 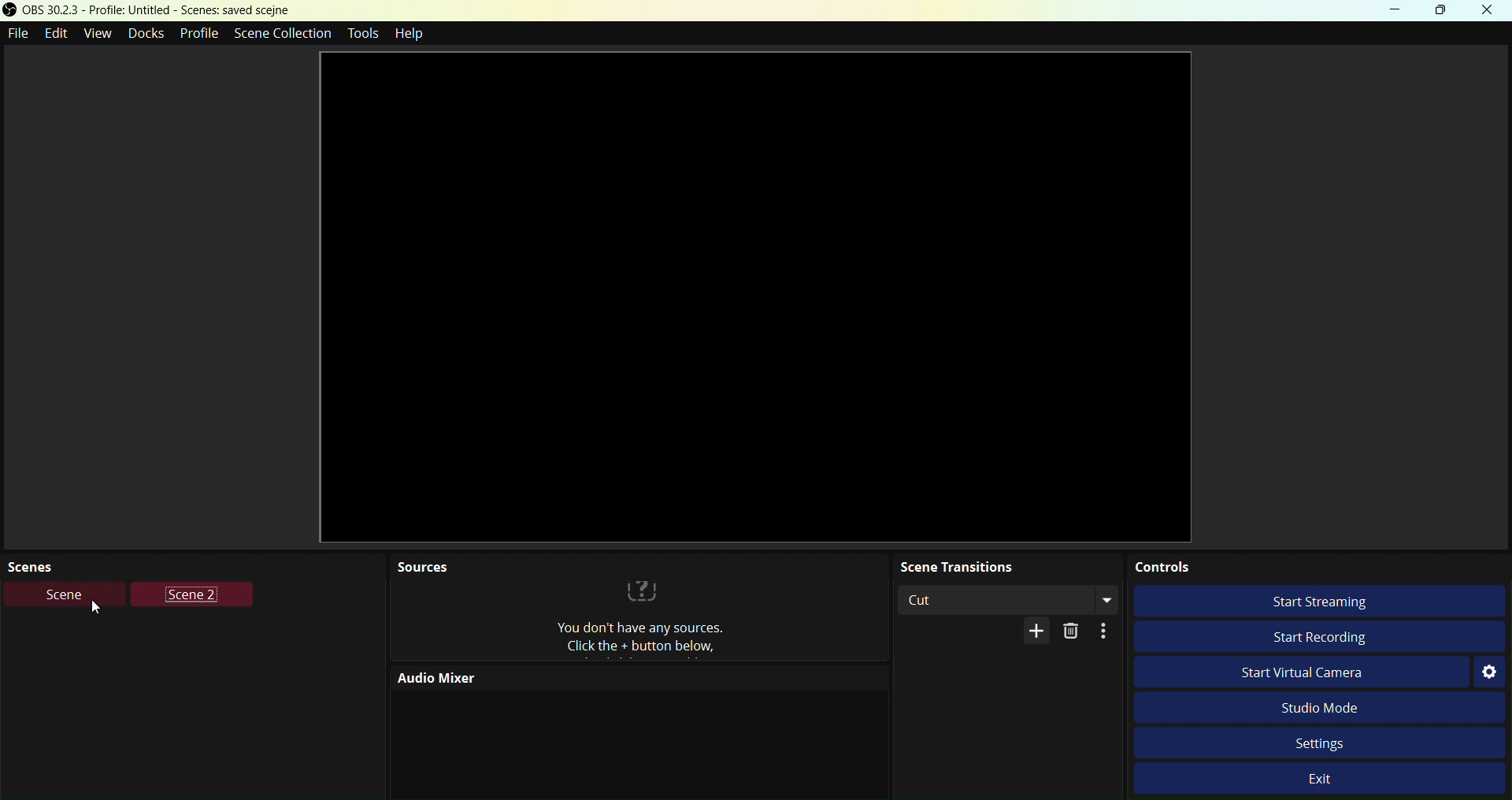 What do you see at coordinates (1316, 707) in the screenshot?
I see `Studio Mode` at bounding box center [1316, 707].